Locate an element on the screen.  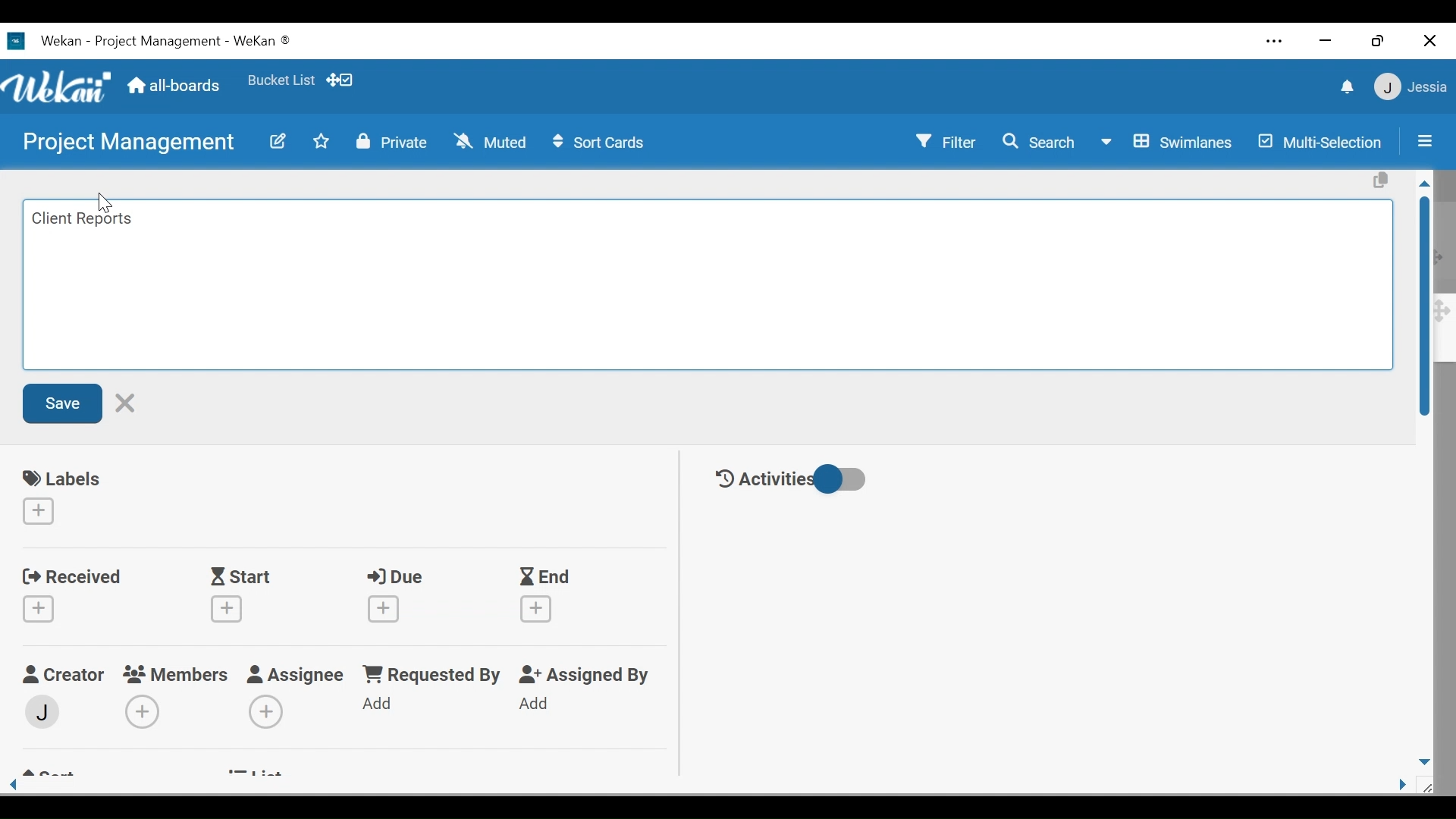
Restore is located at coordinates (1376, 42).